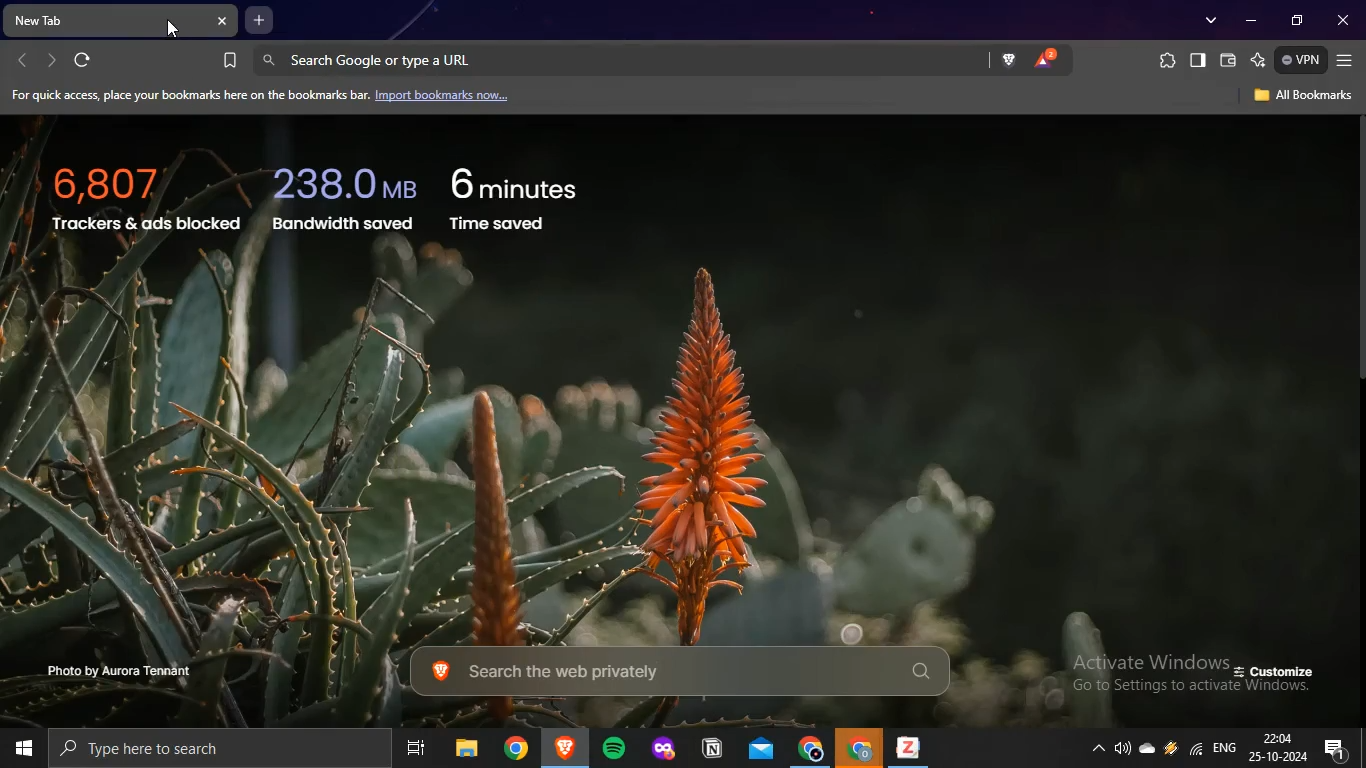  Describe the element at coordinates (301, 94) in the screenshot. I see `import bookmarks` at that location.